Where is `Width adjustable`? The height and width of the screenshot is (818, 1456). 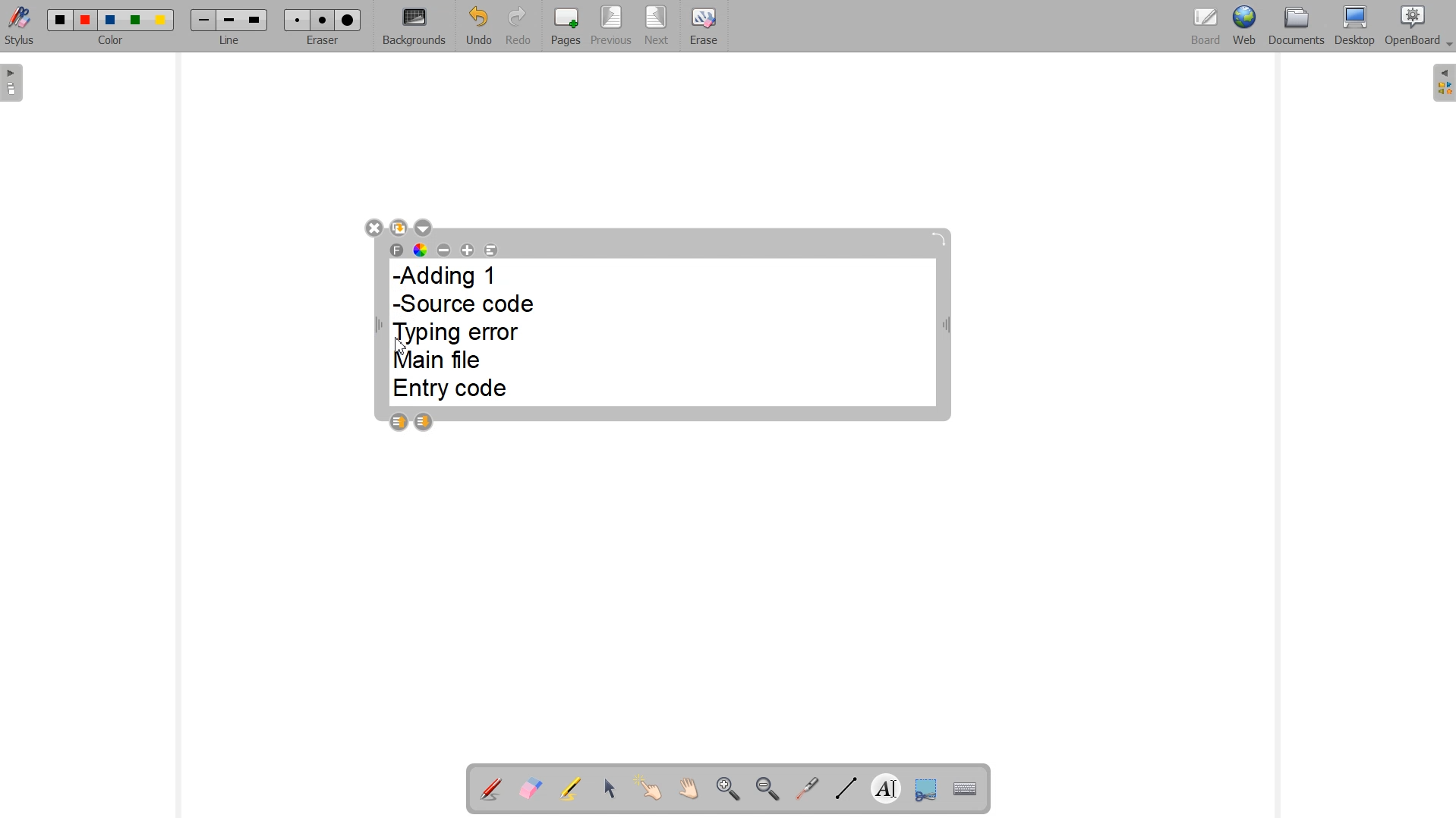
Width adjustable is located at coordinates (947, 328).